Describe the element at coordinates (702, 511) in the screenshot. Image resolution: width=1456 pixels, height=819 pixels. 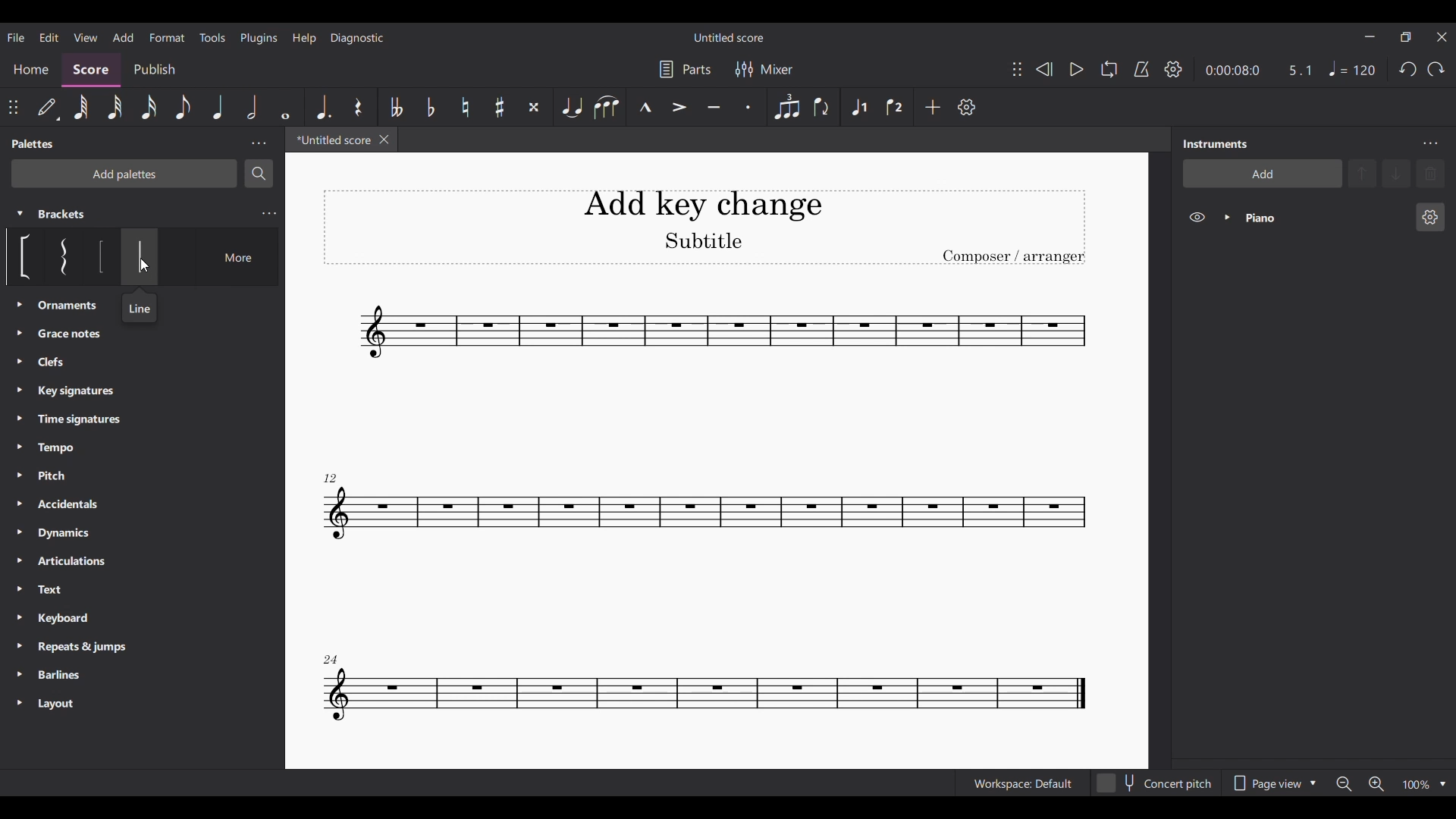
I see `Current score` at that location.